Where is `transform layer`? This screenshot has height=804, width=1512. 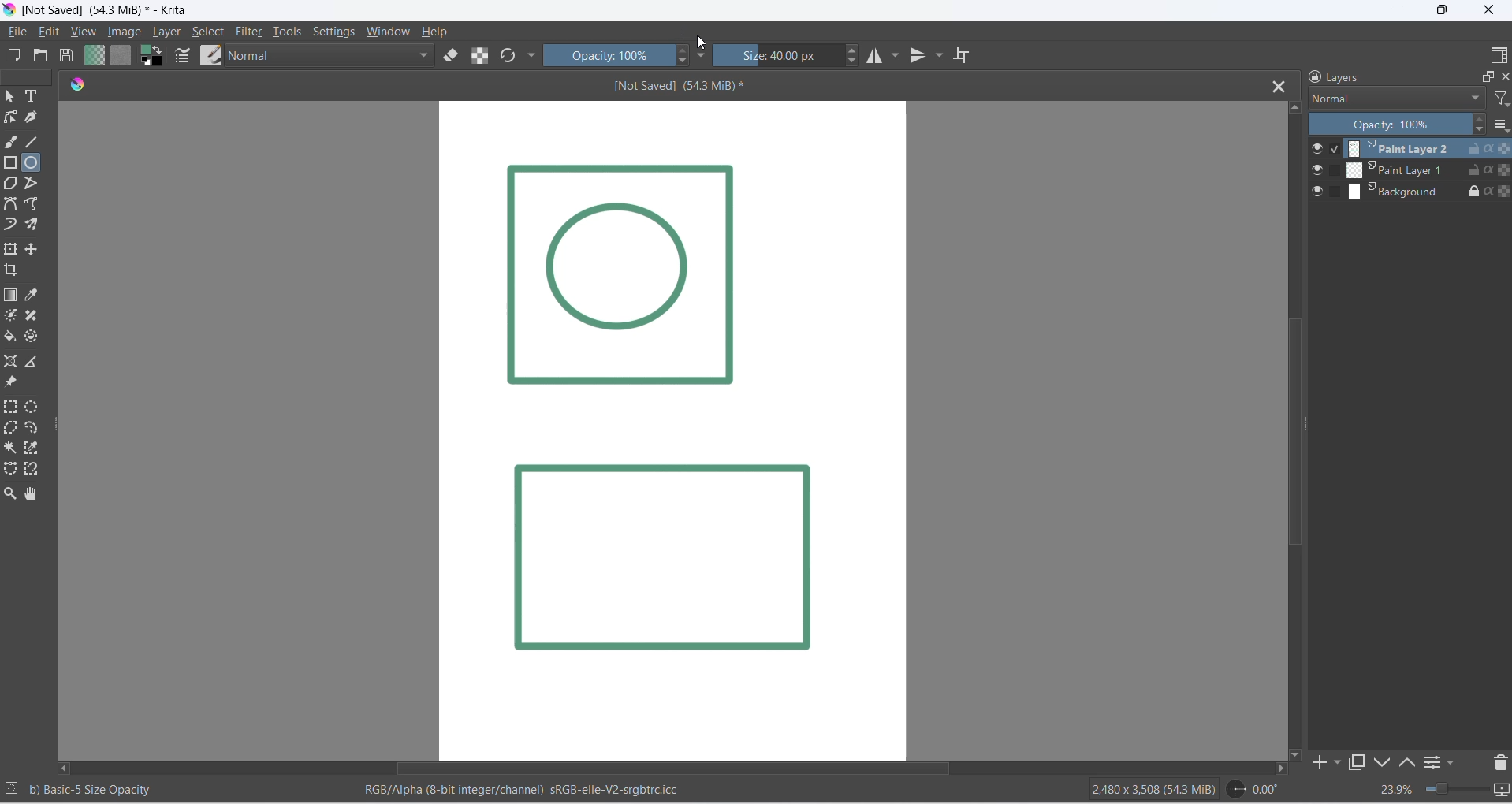 transform layer is located at coordinates (10, 248).